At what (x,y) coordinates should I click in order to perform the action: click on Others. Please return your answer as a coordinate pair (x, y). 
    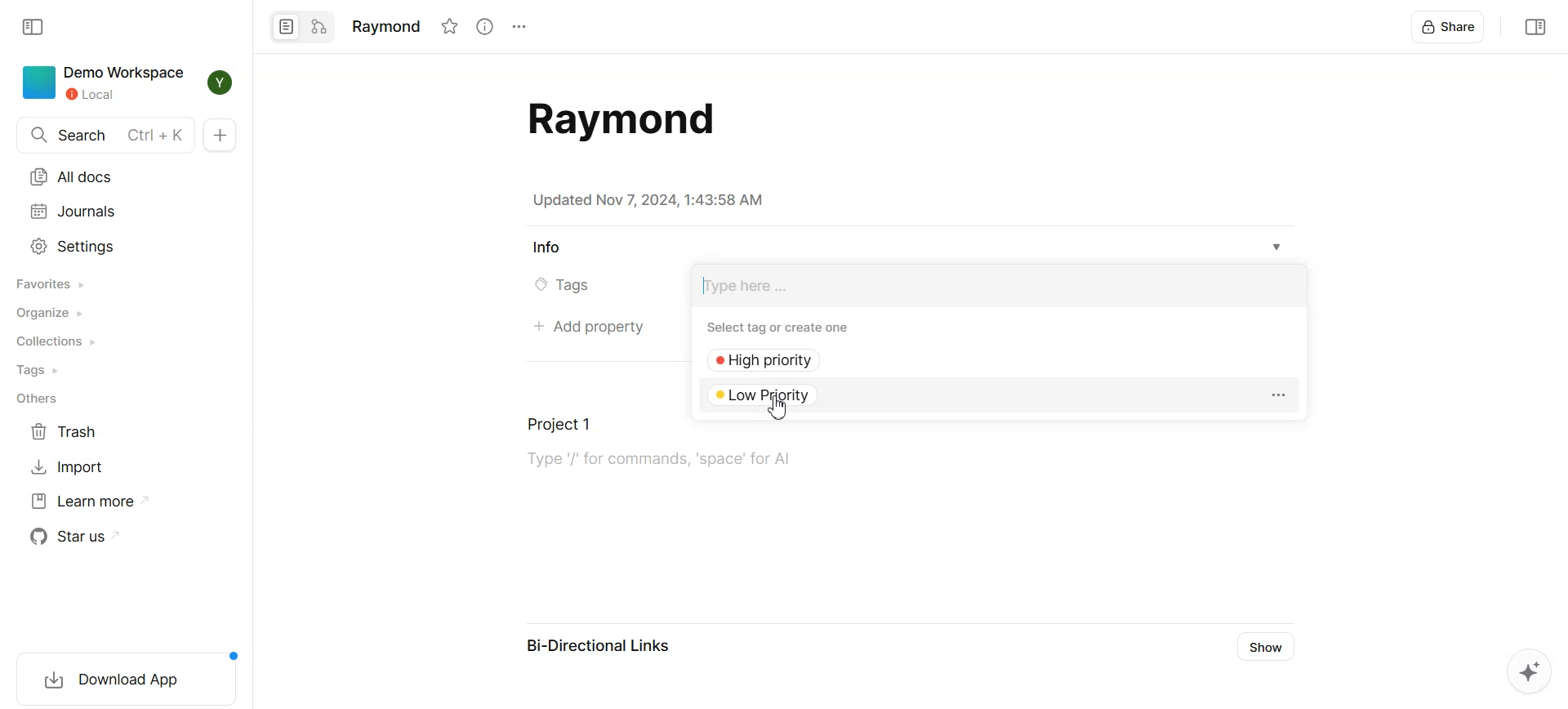
    Looking at the image, I should click on (36, 400).